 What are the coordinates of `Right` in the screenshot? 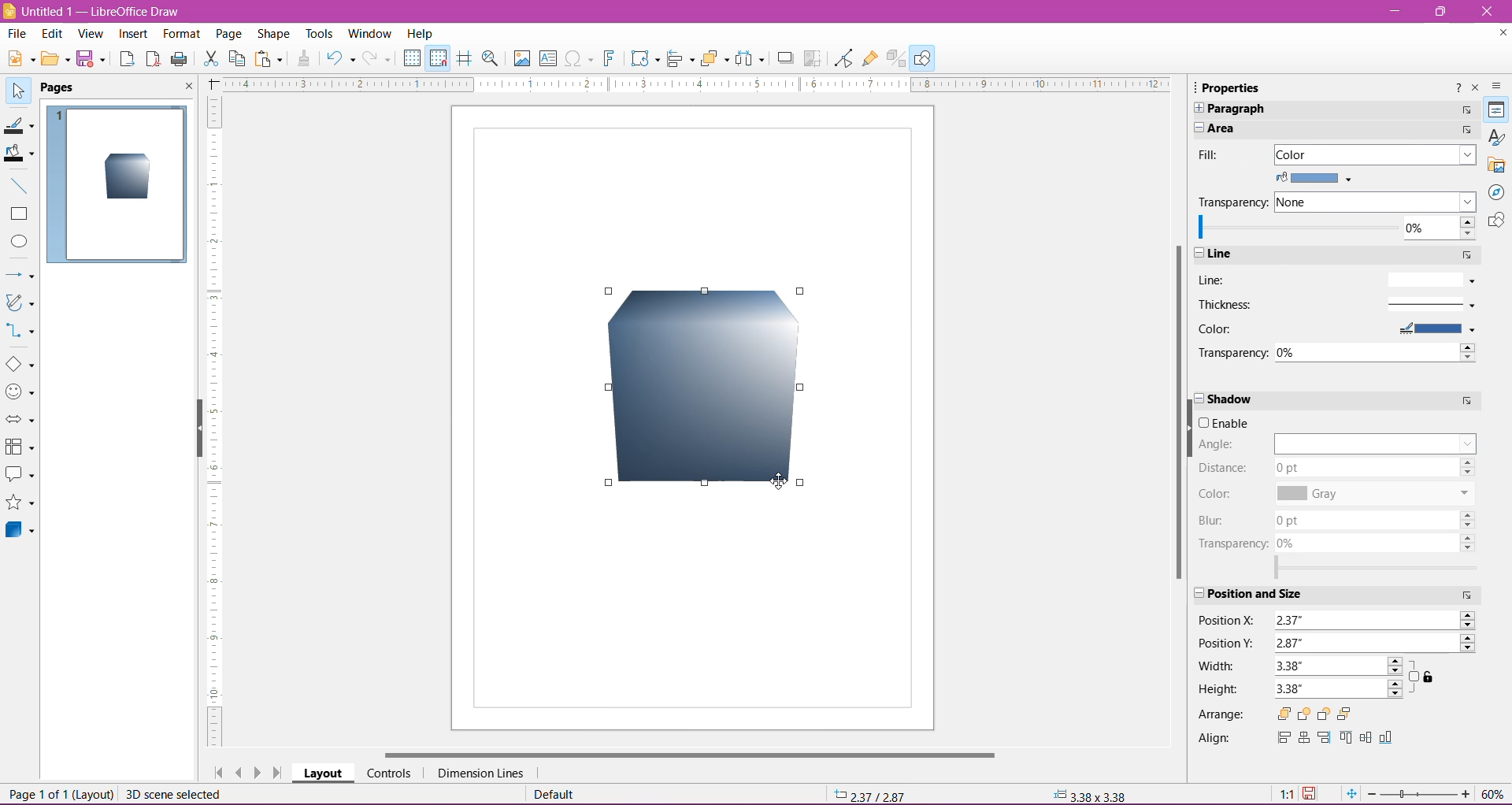 It's located at (1324, 739).